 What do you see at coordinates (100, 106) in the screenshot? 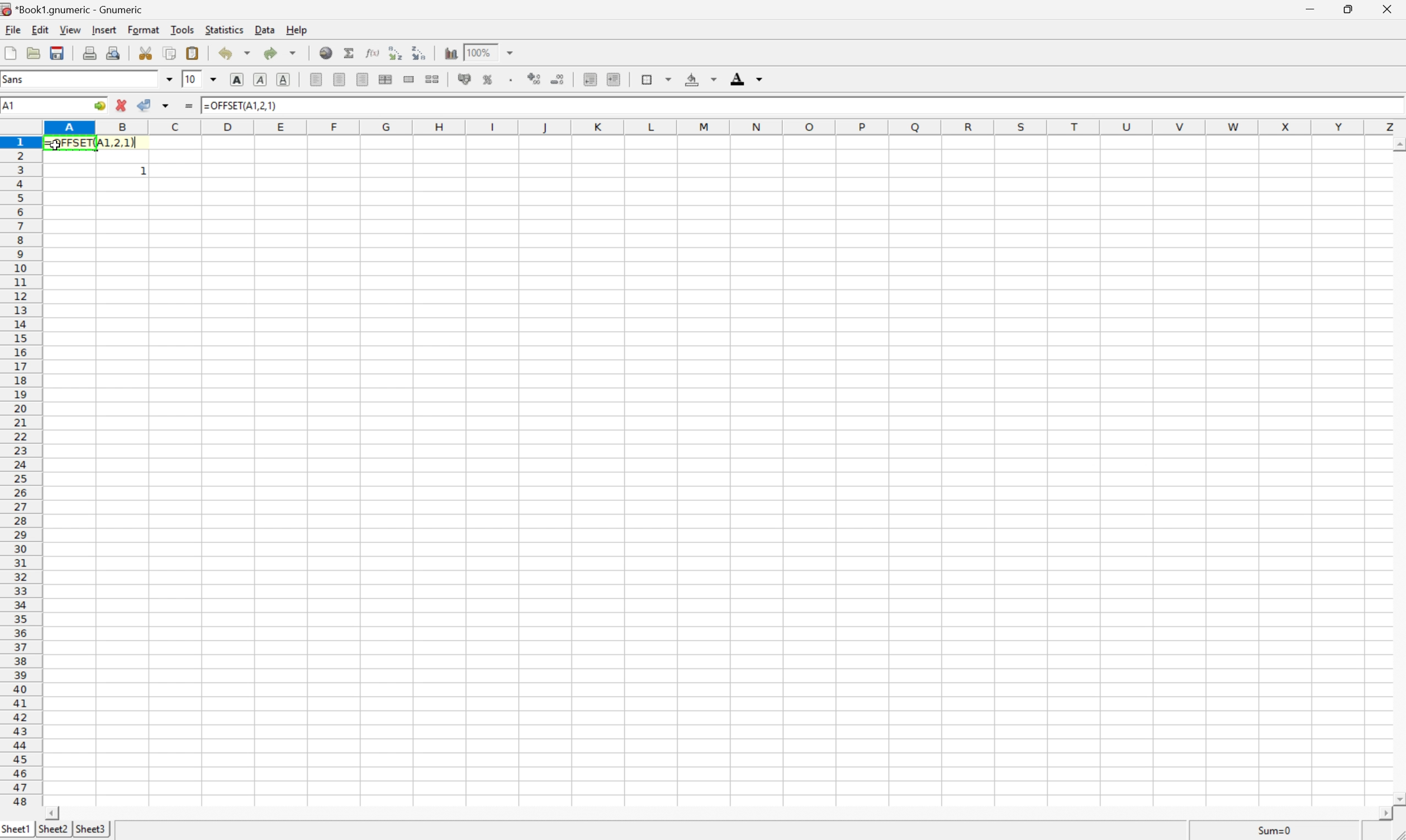
I see `go to` at bounding box center [100, 106].